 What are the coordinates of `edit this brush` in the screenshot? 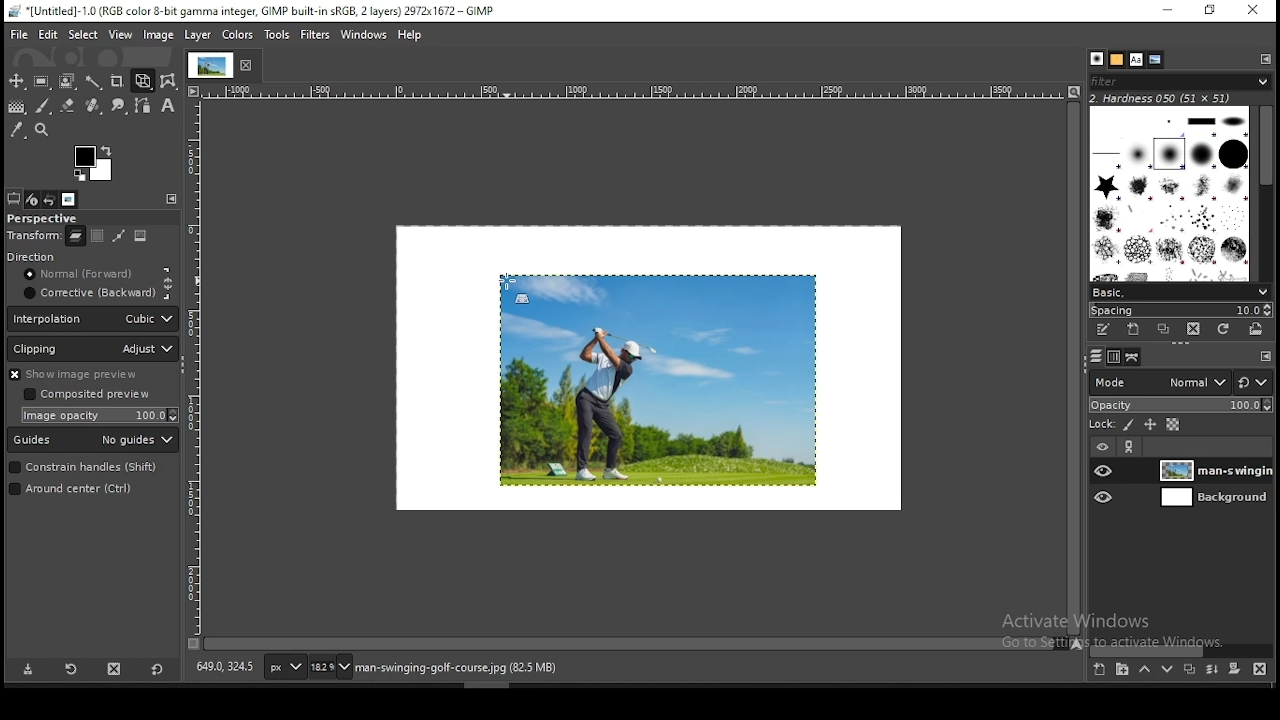 It's located at (1105, 333).